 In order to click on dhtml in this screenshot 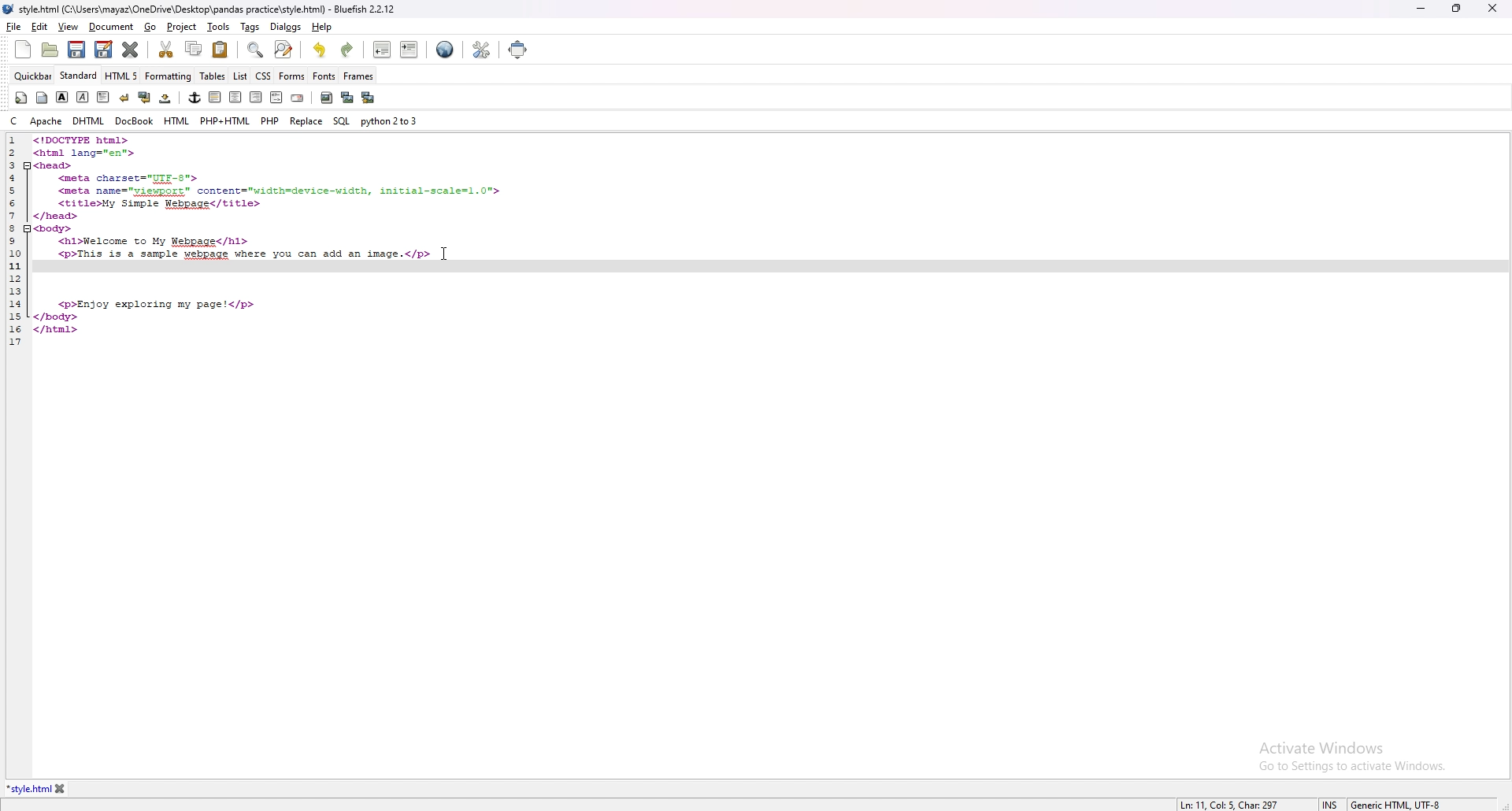, I will do `click(89, 121)`.